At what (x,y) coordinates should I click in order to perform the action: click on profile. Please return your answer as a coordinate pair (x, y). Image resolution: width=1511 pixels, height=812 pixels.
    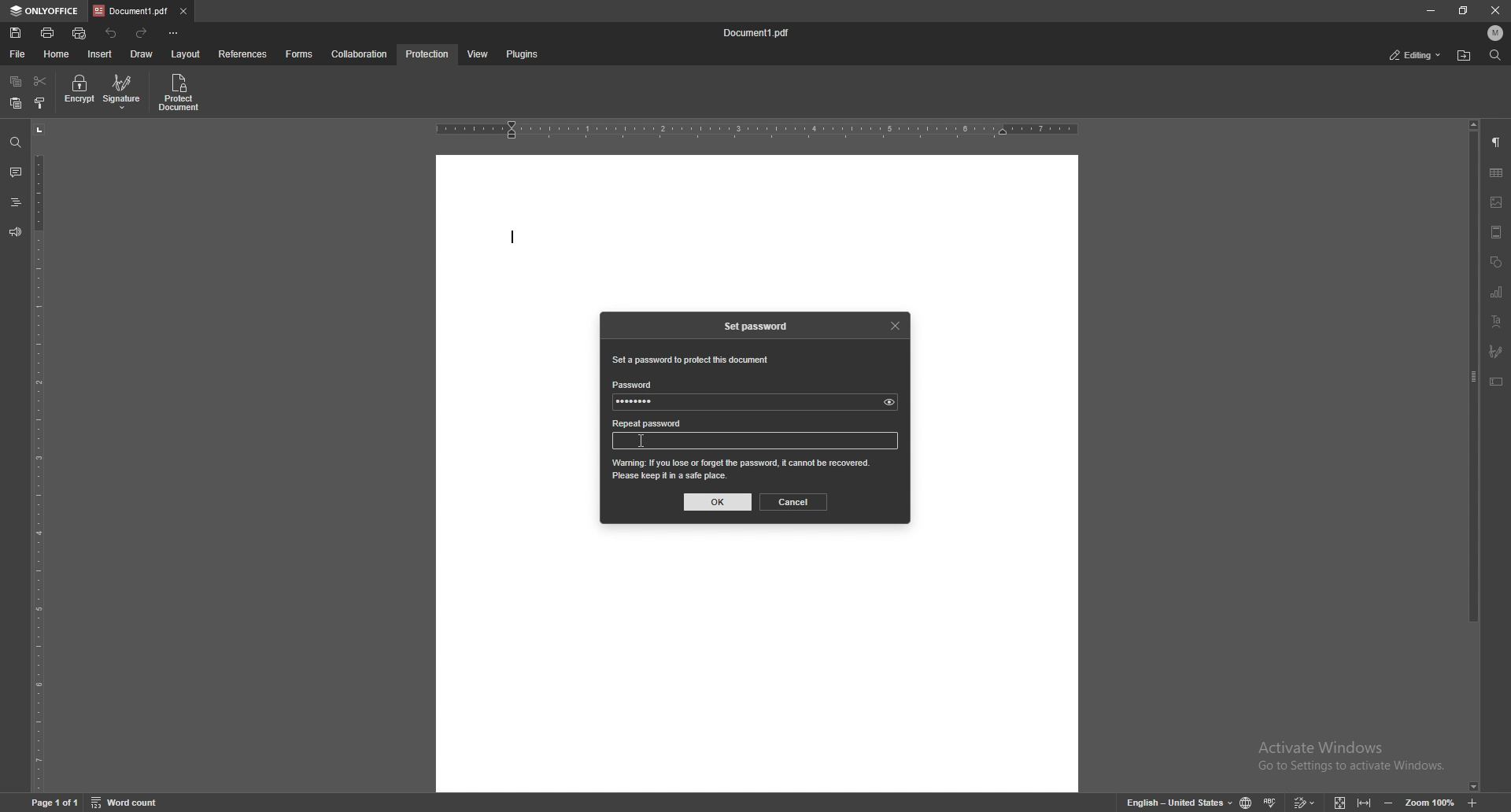
    Looking at the image, I should click on (1493, 33).